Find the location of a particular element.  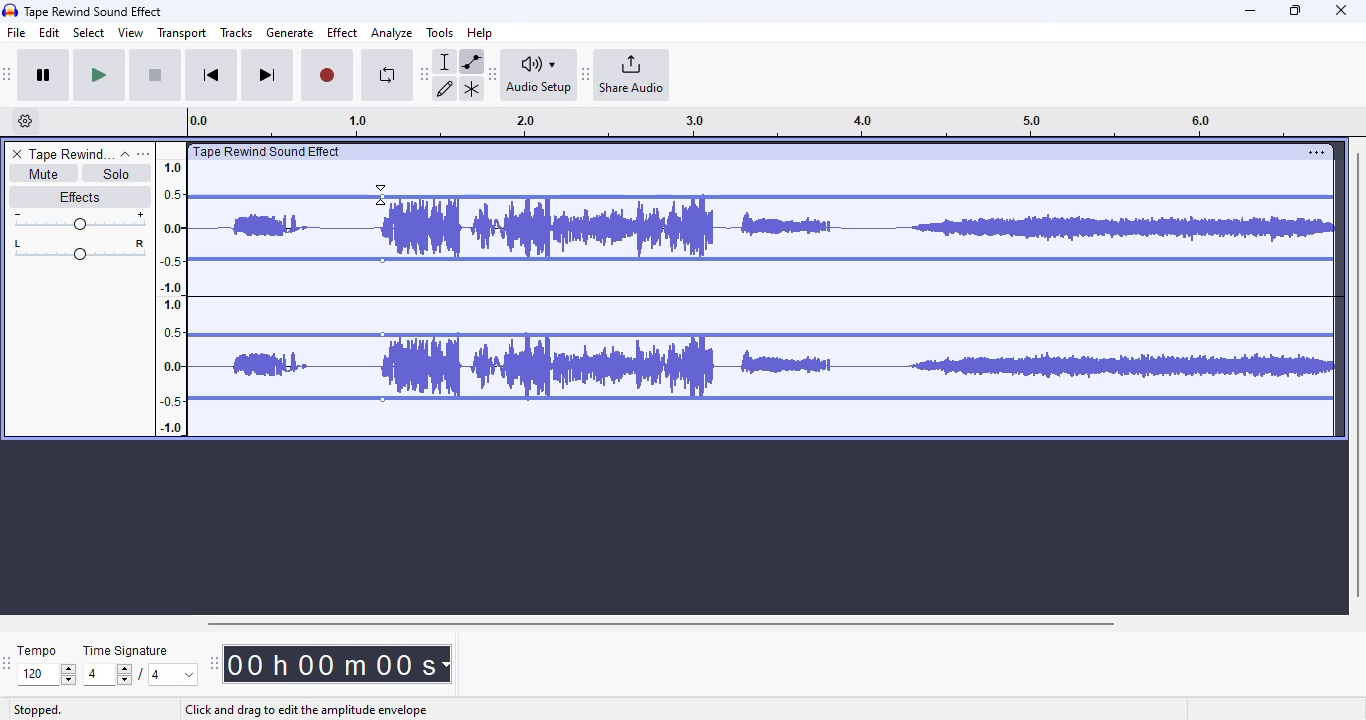

audio setup is located at coordinates (539, 74).